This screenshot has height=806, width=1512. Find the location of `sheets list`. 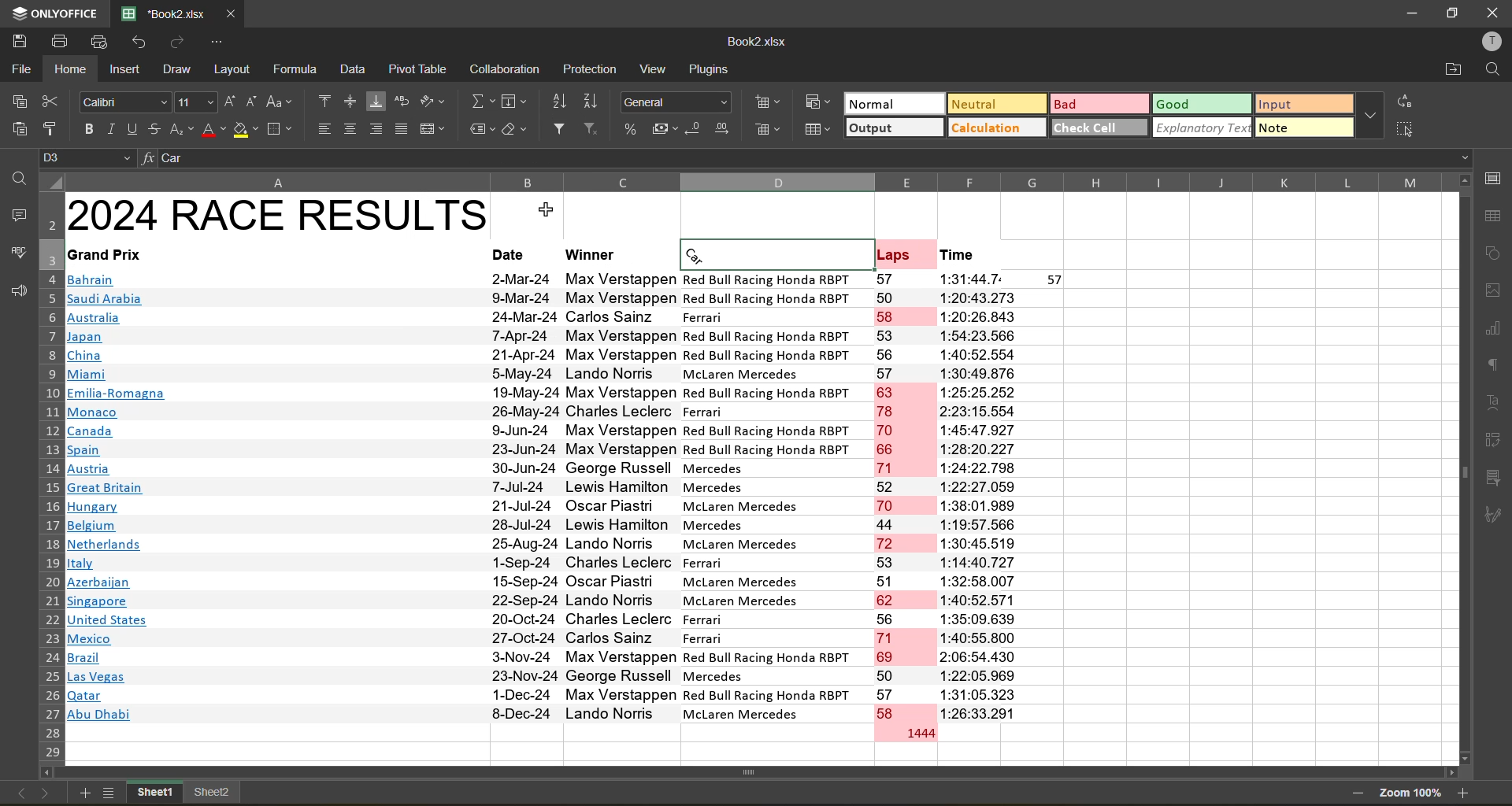

sheets list is located at coordinates (110, 794).